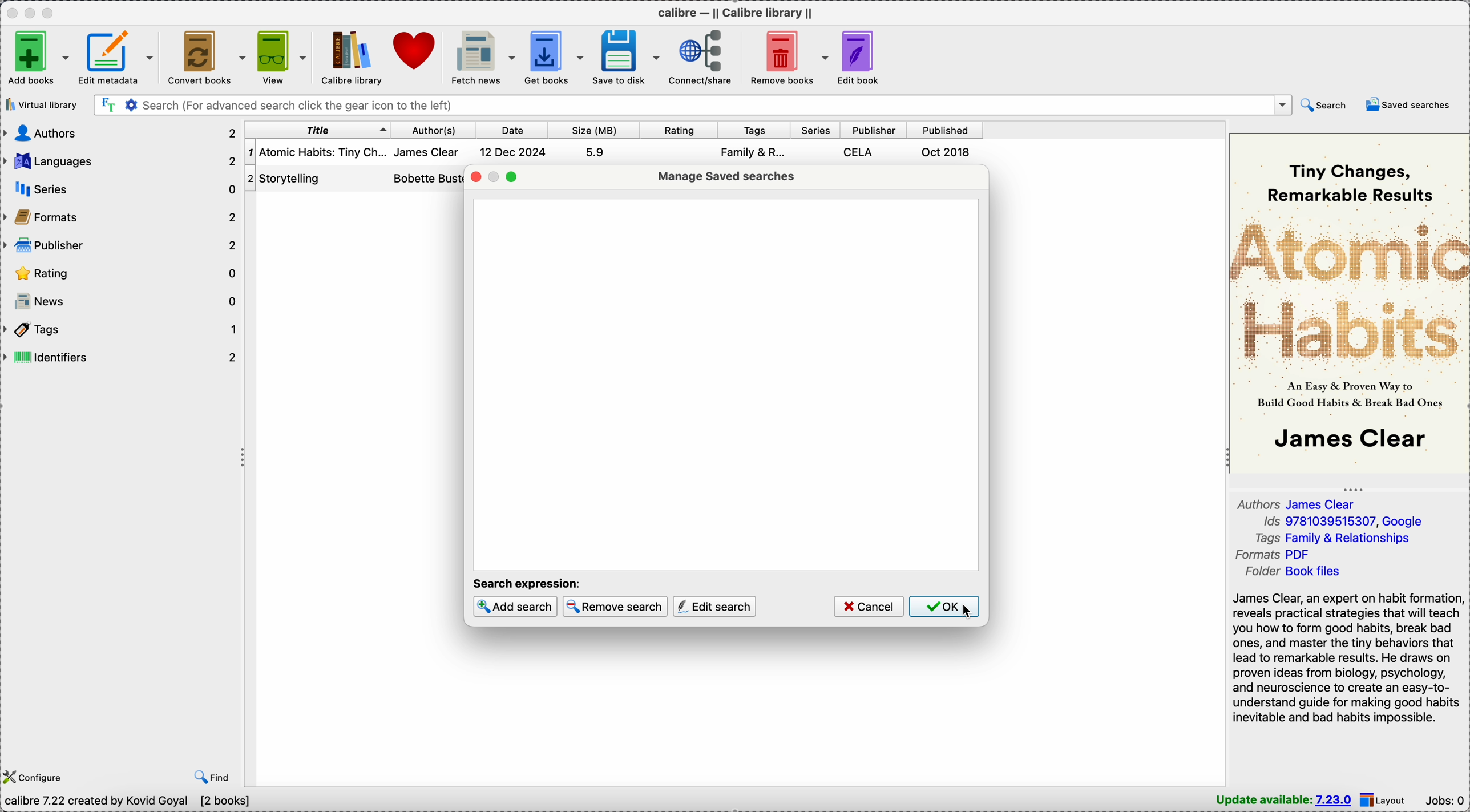 Image resolution: width=1470 pixels, height=812 pixels. I want to click on search expression, so click(529, 583).